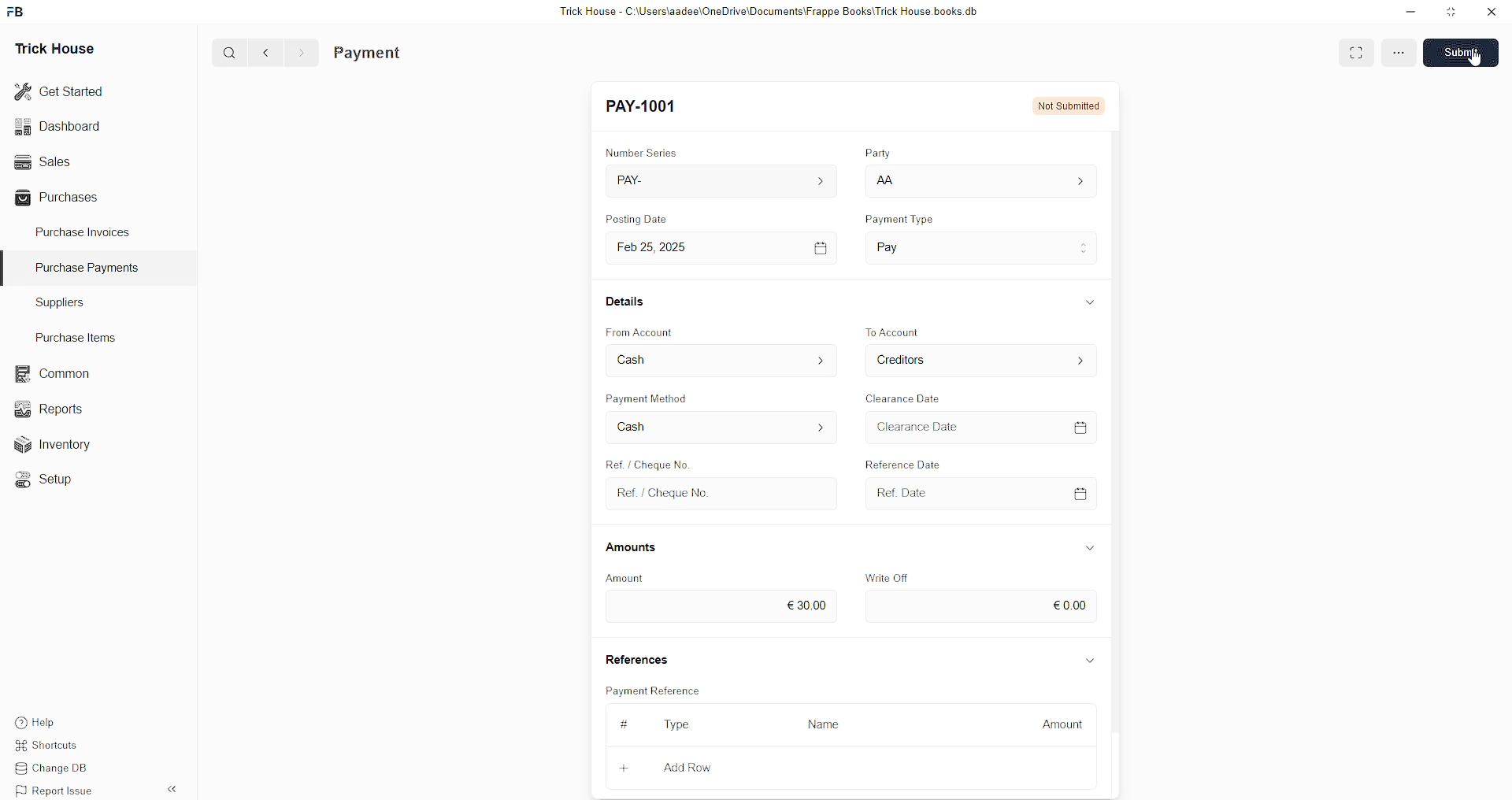 This screenshot has height=800, width=1512. I want to click on Pay, so click(921, 243).